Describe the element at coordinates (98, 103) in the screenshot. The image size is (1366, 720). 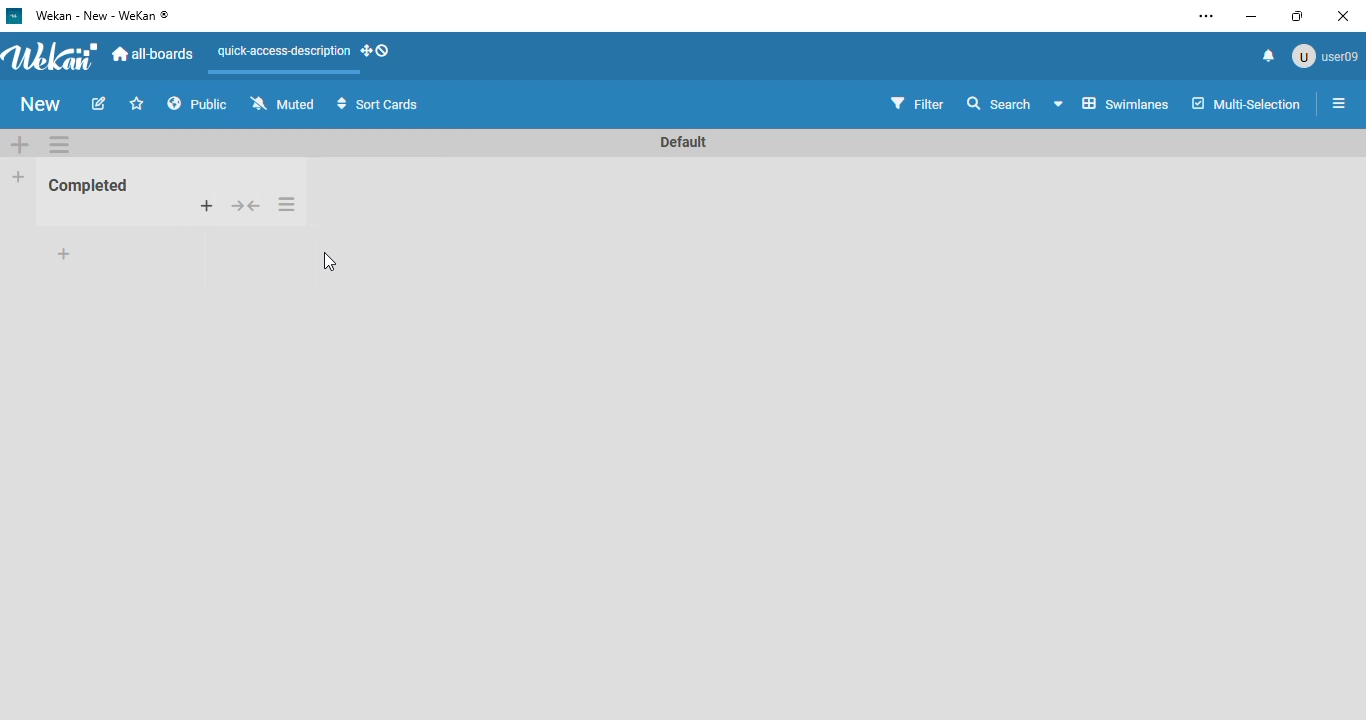
I see `edit` at that location.